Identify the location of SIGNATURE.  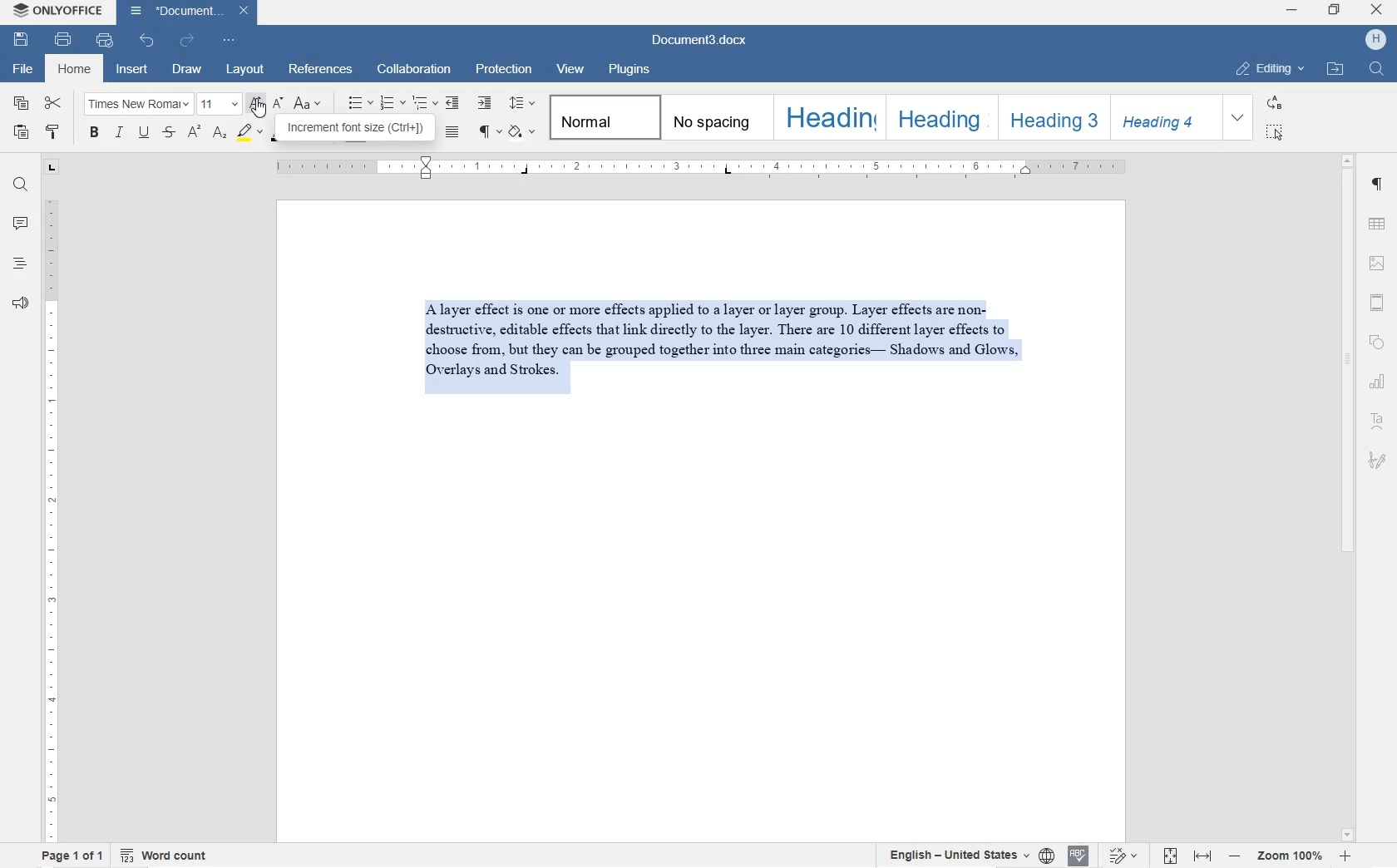
(1378, 463).